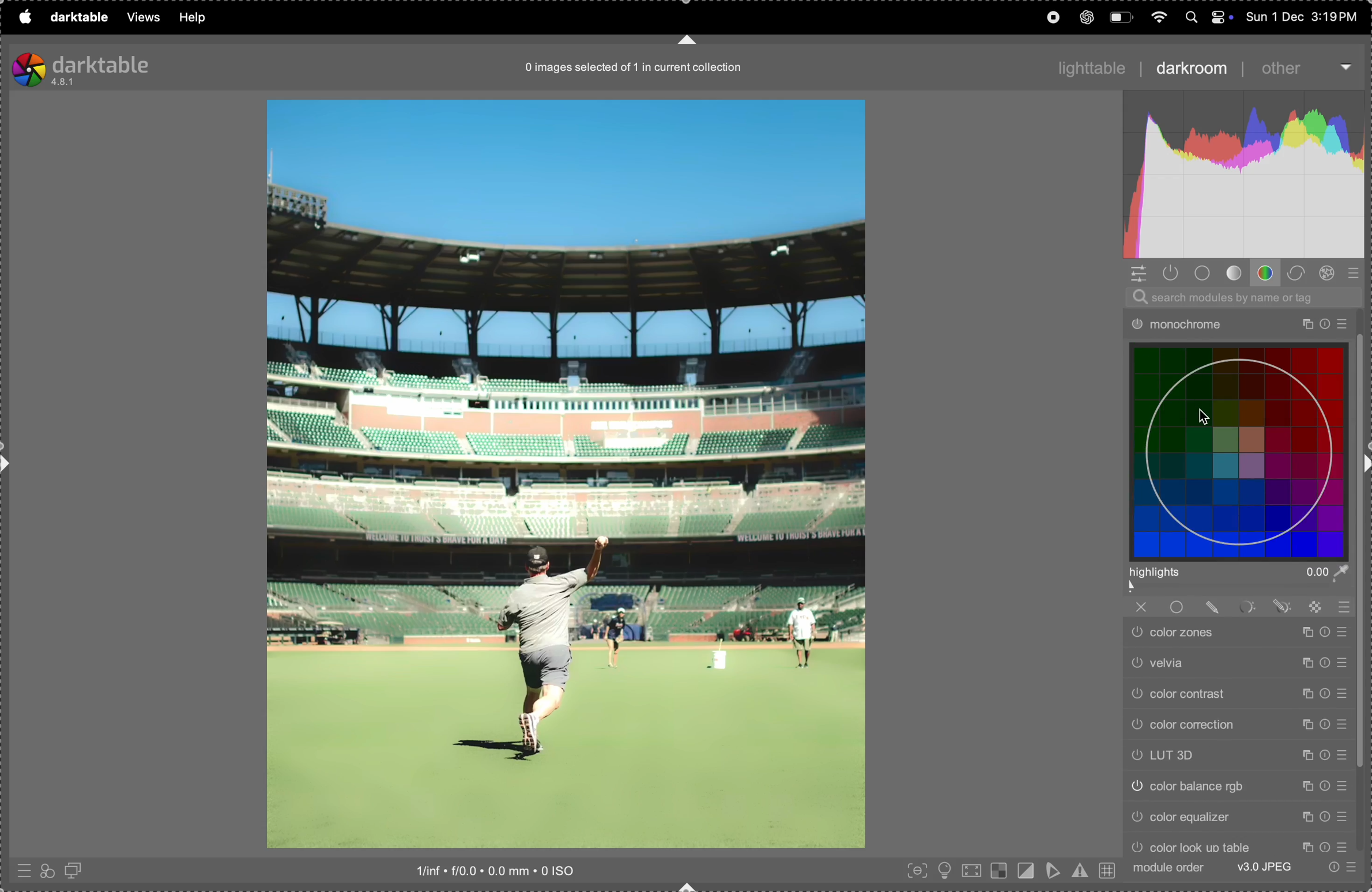 Image resolution: width=1372 pixels, height=892 pixels. Describe the element at coordinates (1088, 17) in the screenshot. I see `chatgpt` at that location.